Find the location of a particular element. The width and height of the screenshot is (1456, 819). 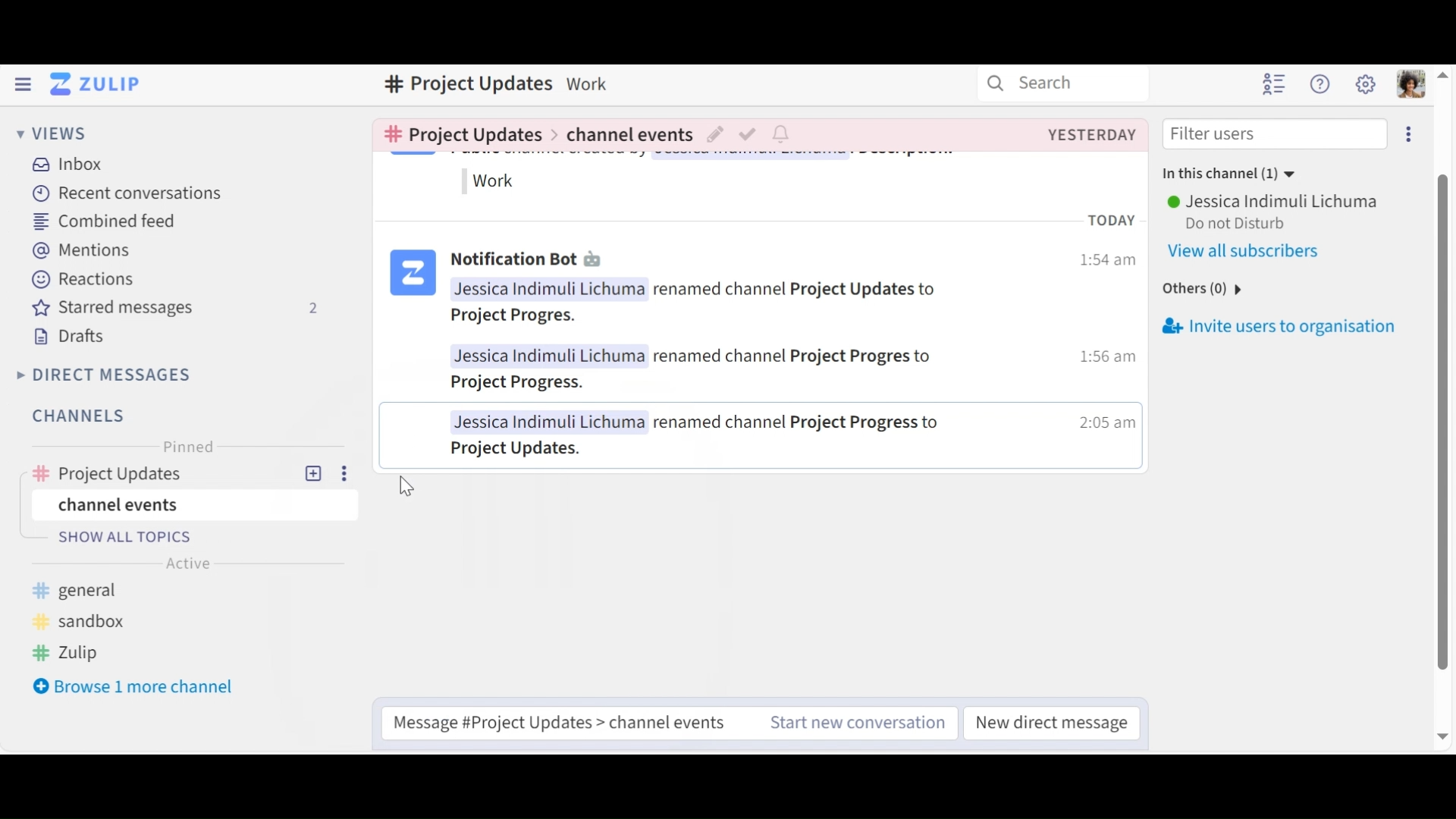

Zulip is located at coordinates (71, 651).